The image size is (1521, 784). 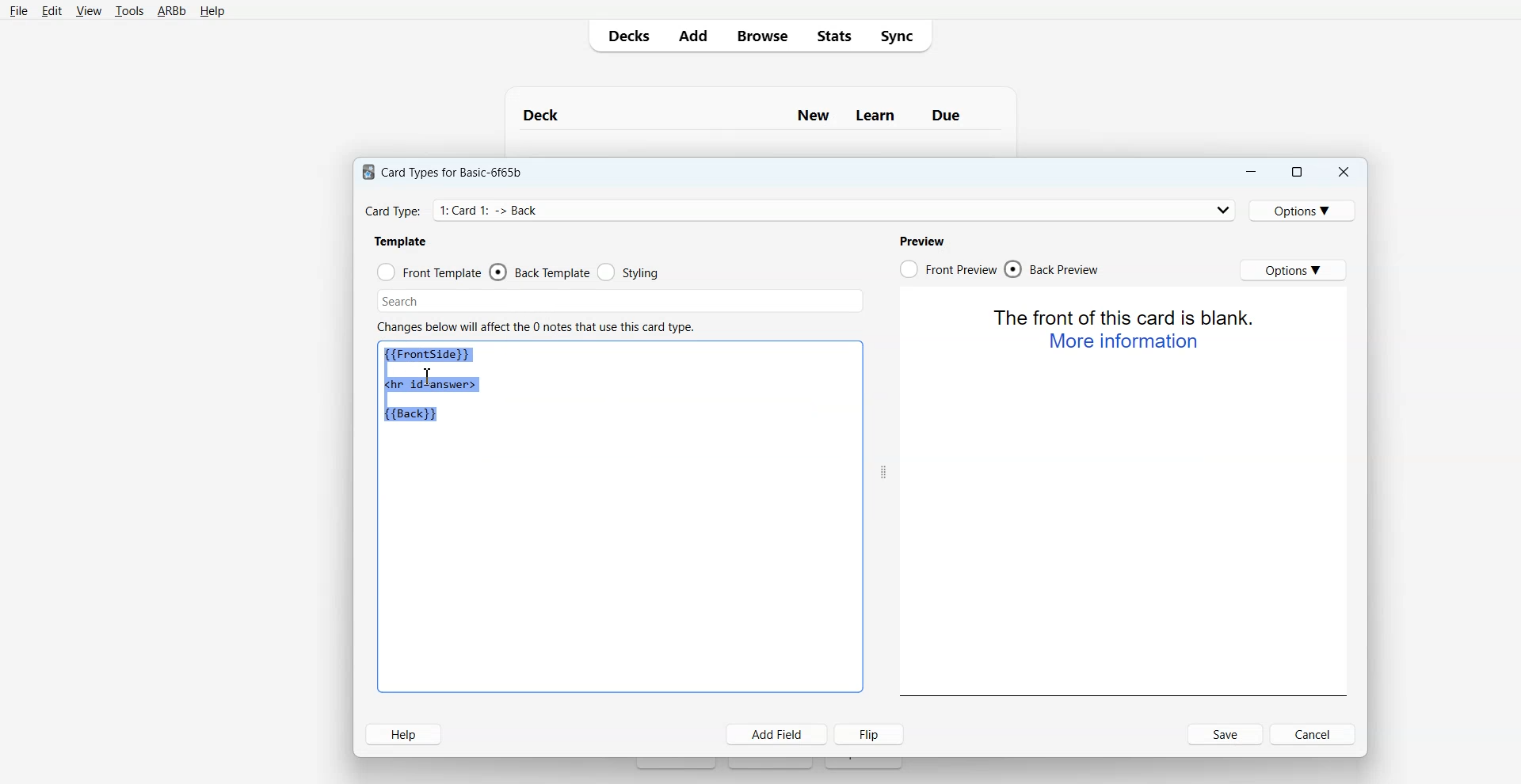 What do you see at coordinates (539, 324) in the screenshot?
I see `Text 3` at bounding box center [539, 324].